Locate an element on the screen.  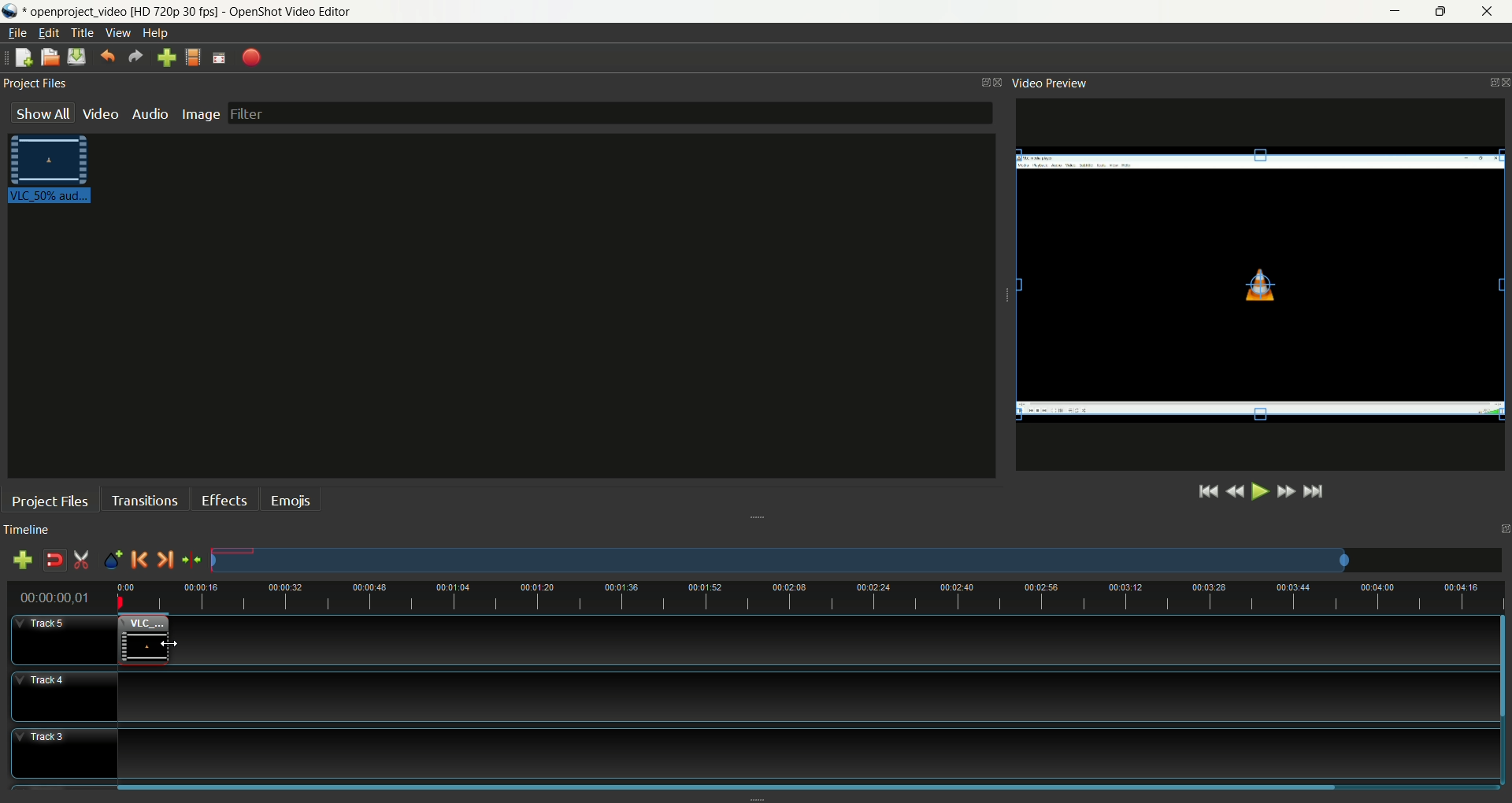
effects is located at coordinates (228, 498).